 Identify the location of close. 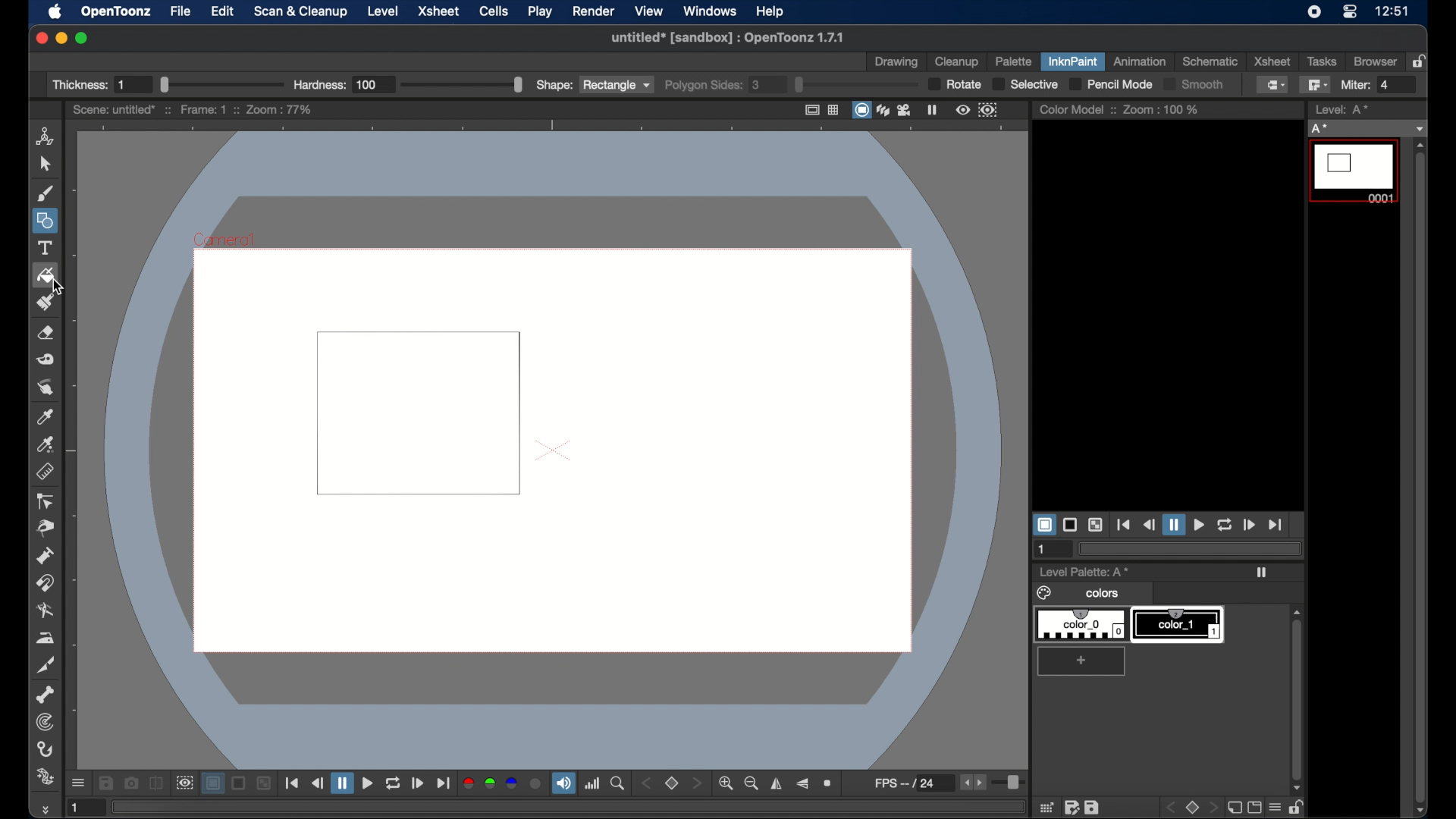
(40, 39).